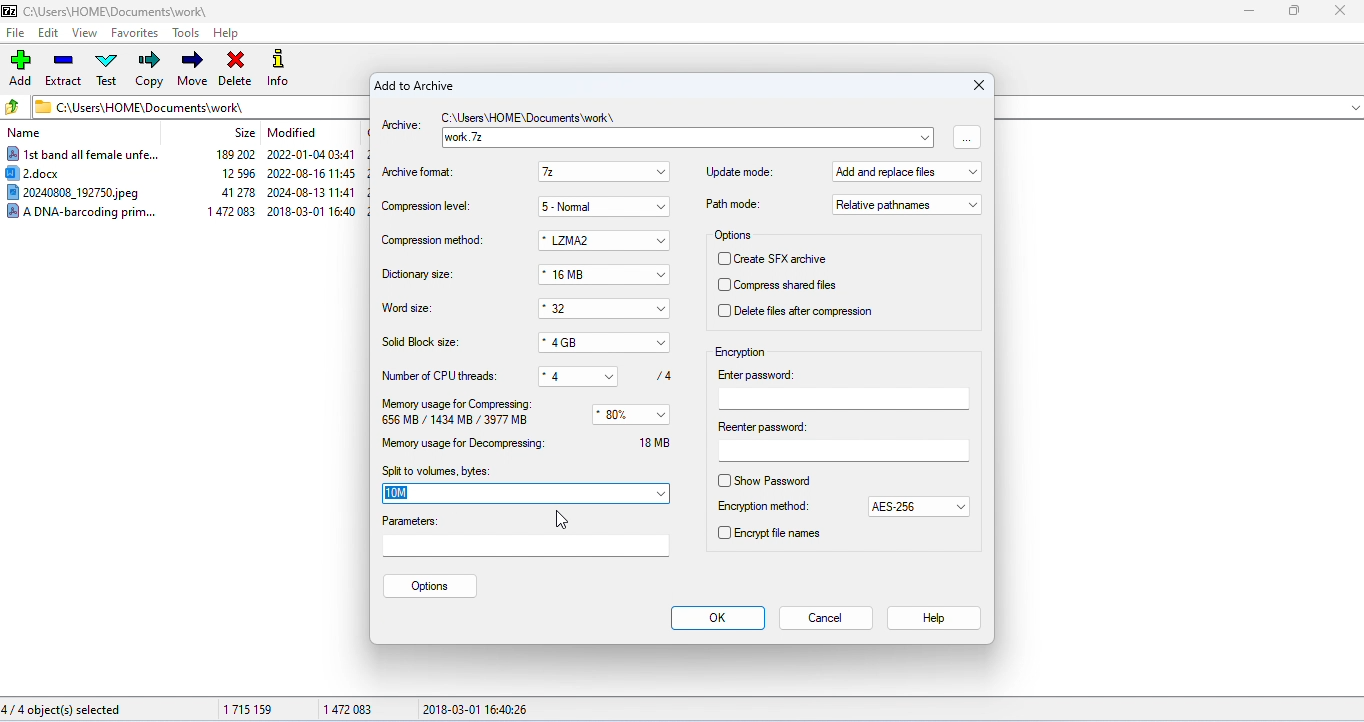 The width and height of the screenshot is (1364, 722). I want to click on drop down, so click(662, 173).